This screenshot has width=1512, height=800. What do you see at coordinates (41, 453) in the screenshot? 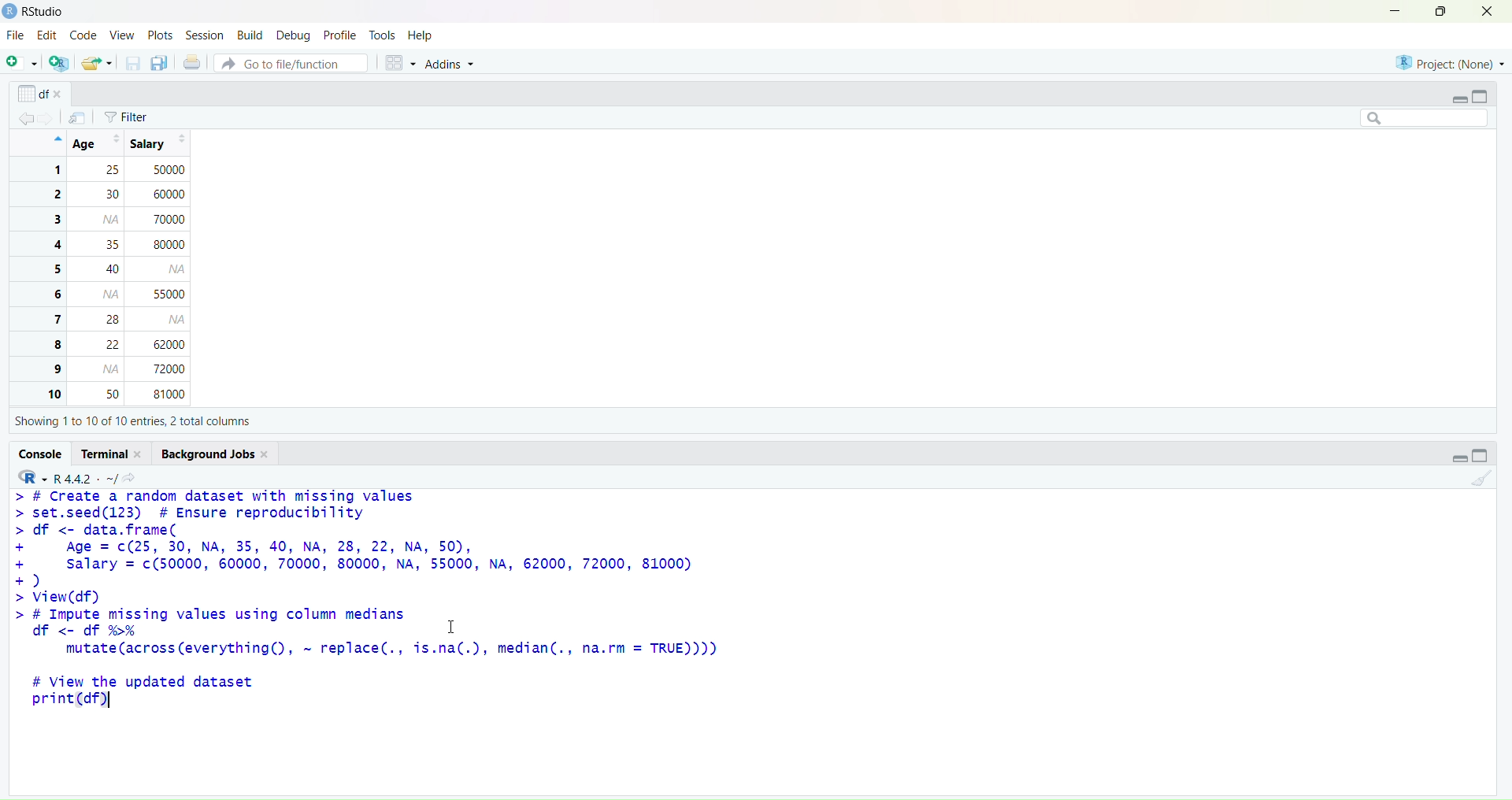
I see `console` at bounding box center [41, 453].